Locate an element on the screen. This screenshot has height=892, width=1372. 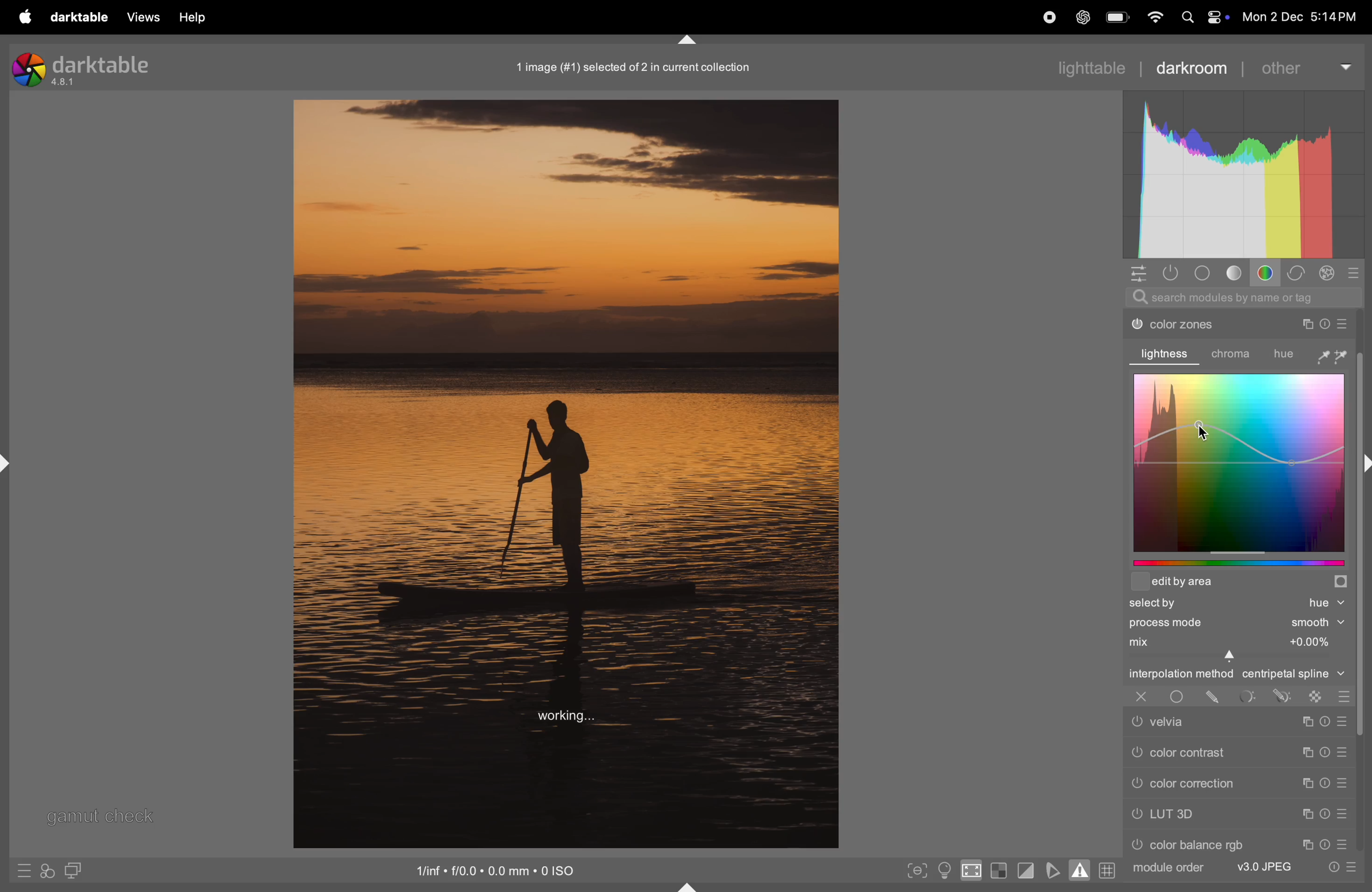
Timer is located at coordinates (1325, 721).